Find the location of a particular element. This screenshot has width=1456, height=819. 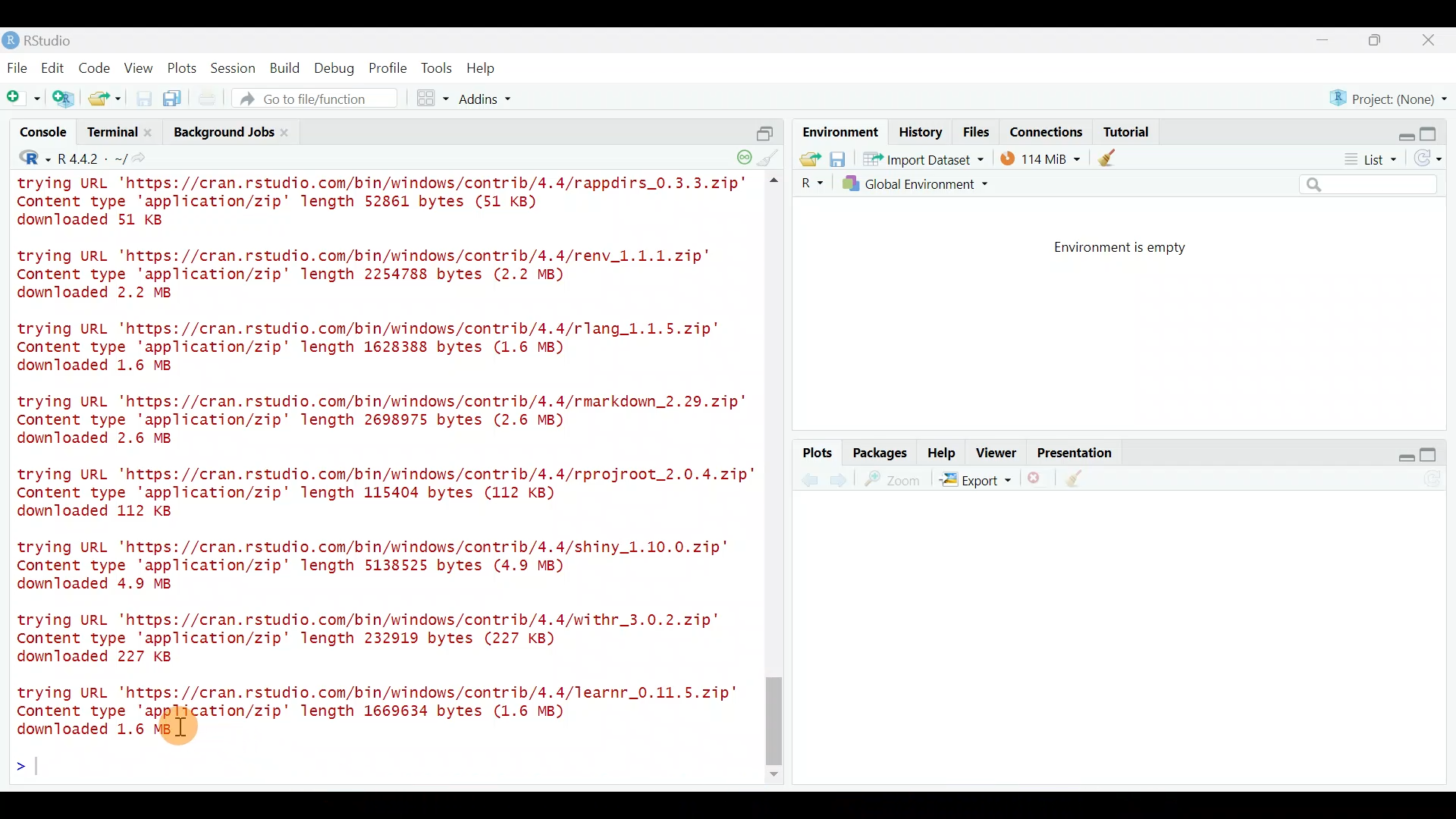

trying URL 'https://cran.rstudio.com/bin/windows/contrib/4.4/withr_3.0.2.zip"
Content type 'application/zip' length 232919 bytes (227 KB)
downloaded 227 KB is located at coordinates (372, 638).